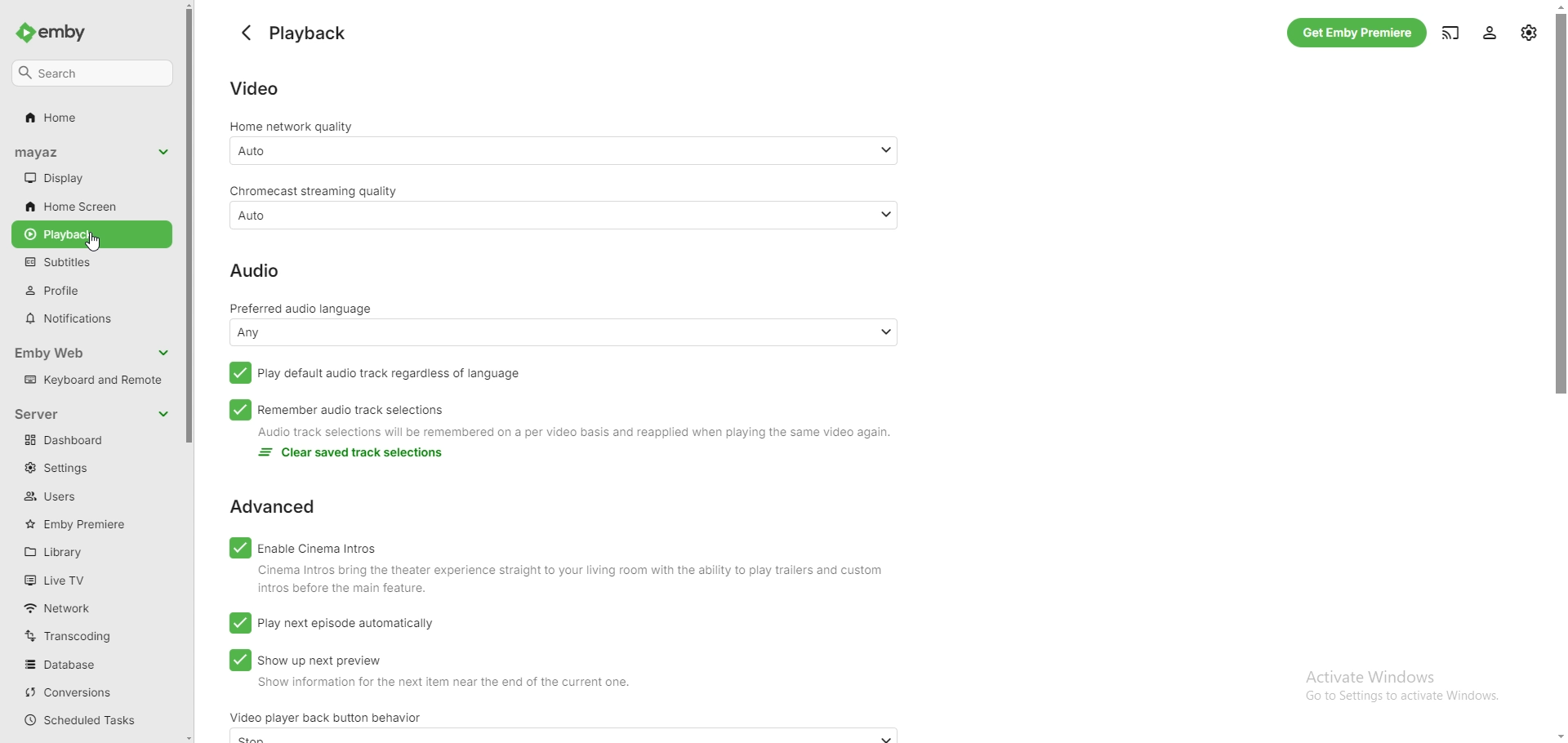  What do you see at coordinates (355, 455) in the screenshot?
I see `clear saved track selections` at bounding box center [355, 455].